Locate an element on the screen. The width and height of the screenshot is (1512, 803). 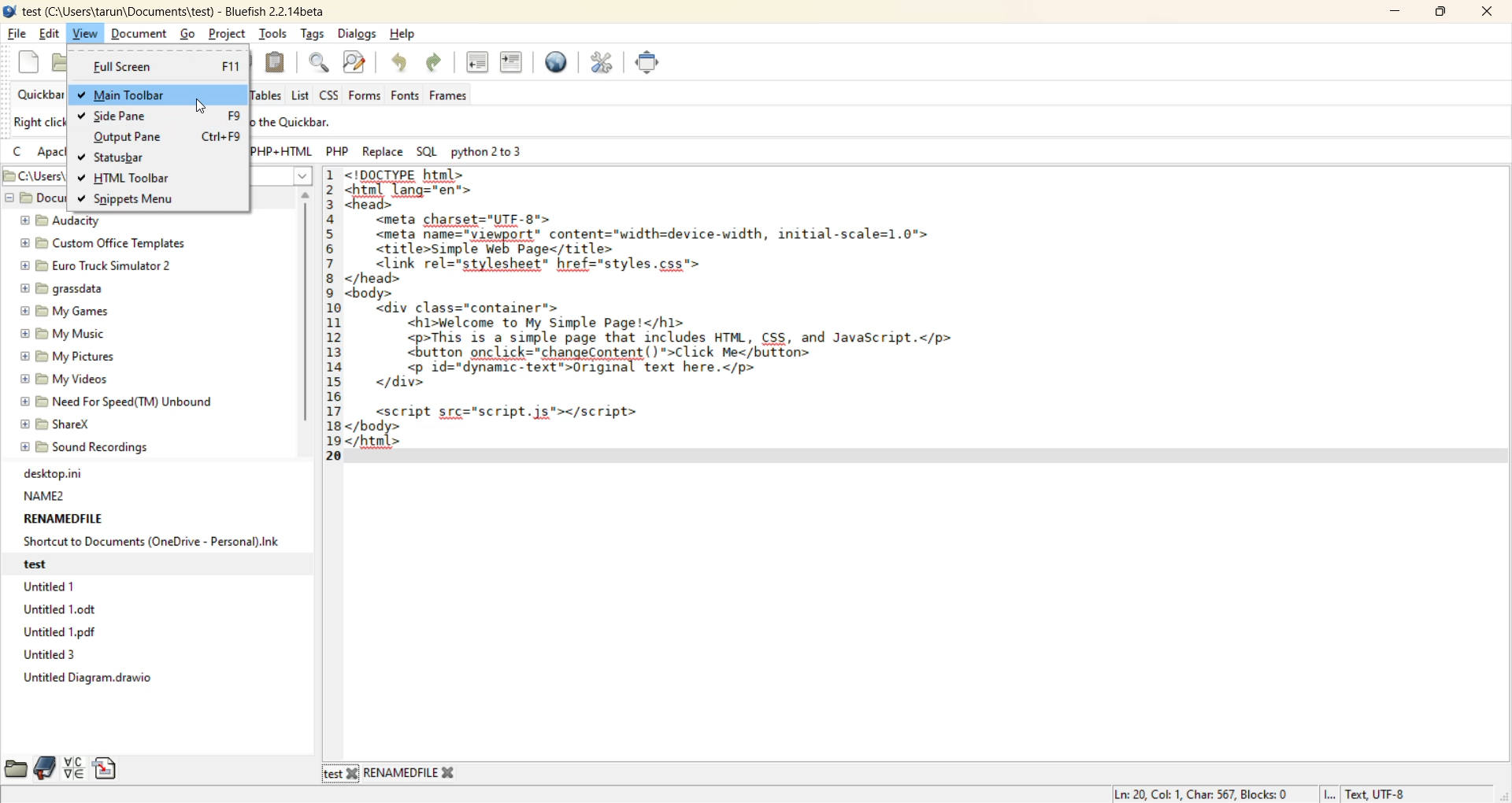
open is located at coordinates (65, 61).